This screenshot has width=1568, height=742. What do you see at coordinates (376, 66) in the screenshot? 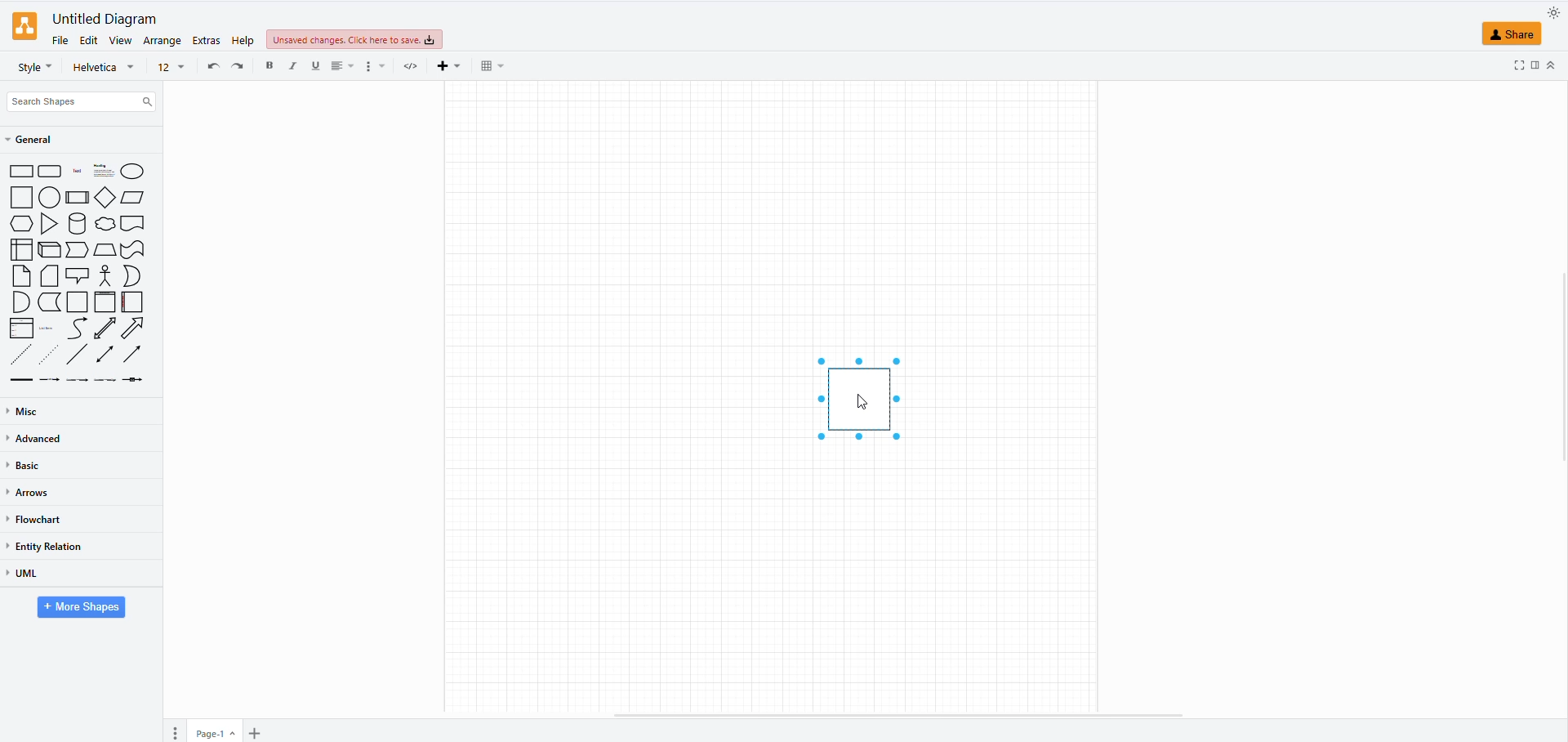
I see `more options` at bounding box center [376, 66].